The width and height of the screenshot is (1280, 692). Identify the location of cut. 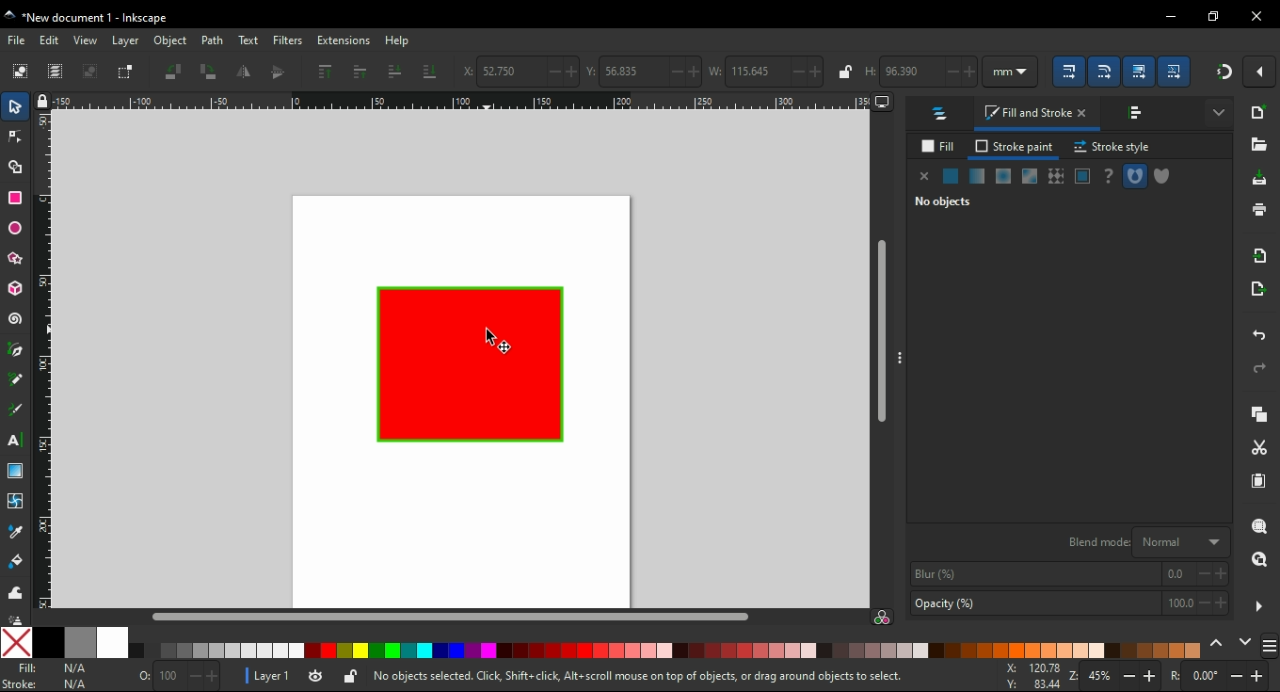
(1258, 448).